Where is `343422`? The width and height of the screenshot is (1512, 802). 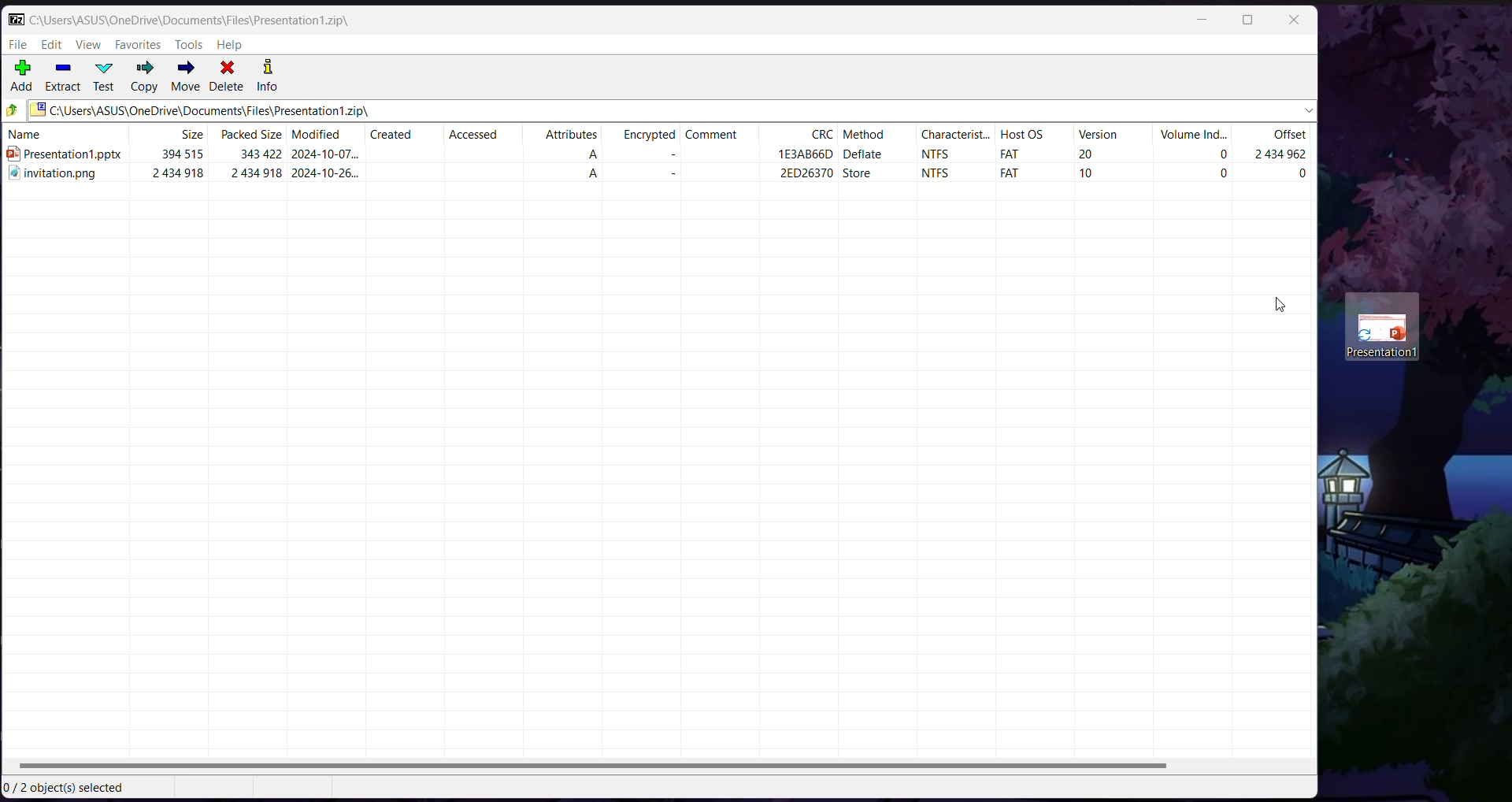
343422 is located at coordinates (259, 154).